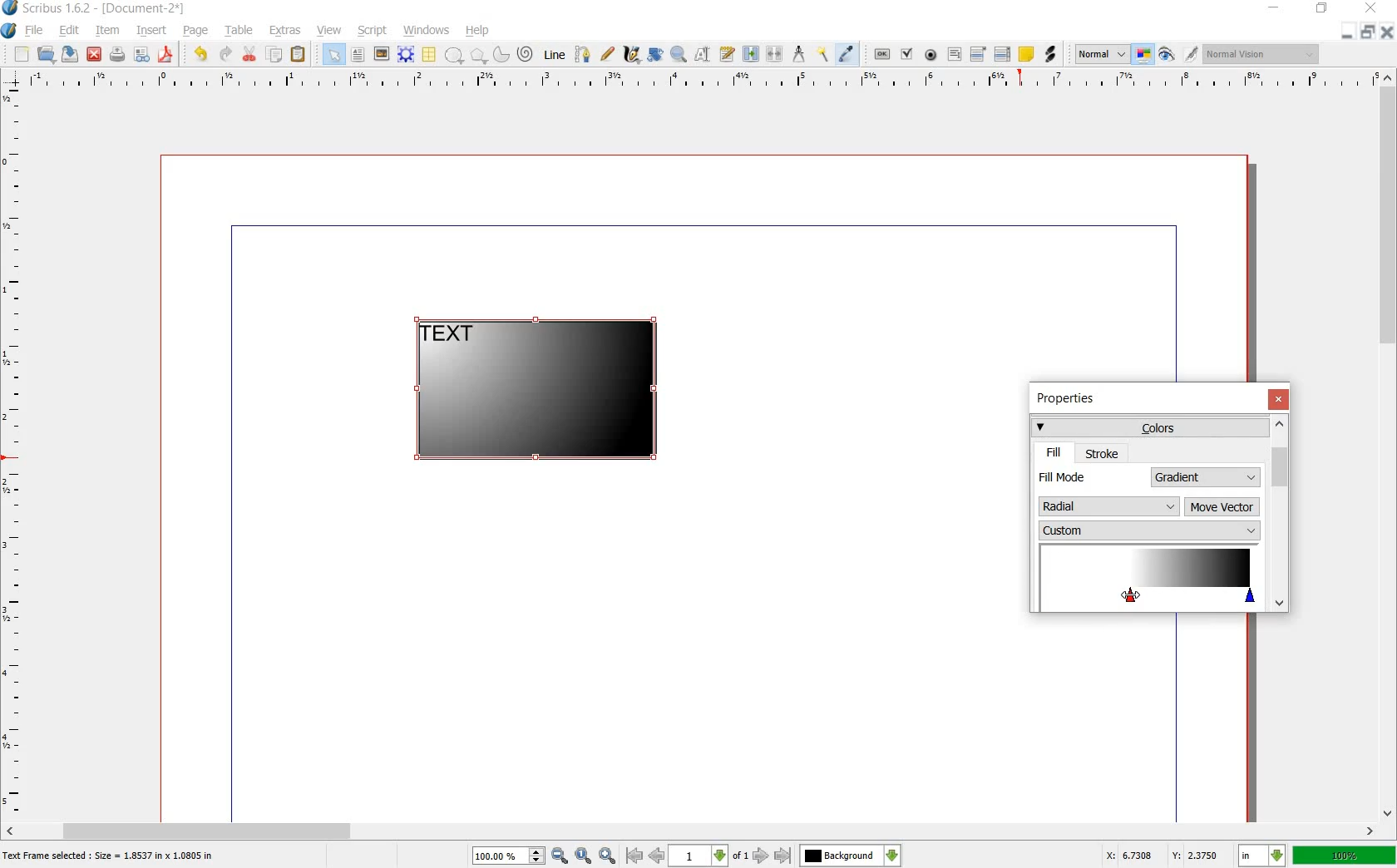 This screenshot has height=868, width=1397. I want to click on radial, so click(1109, 504).